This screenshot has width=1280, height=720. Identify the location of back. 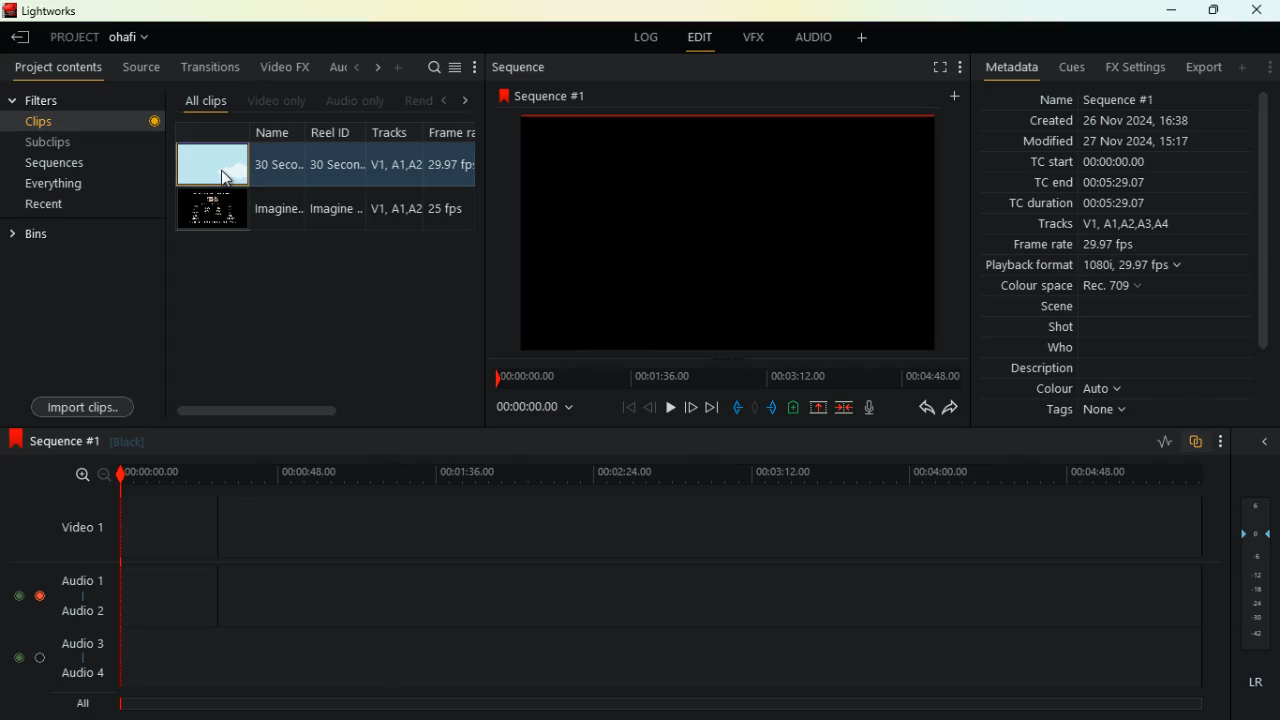
(18, 38).